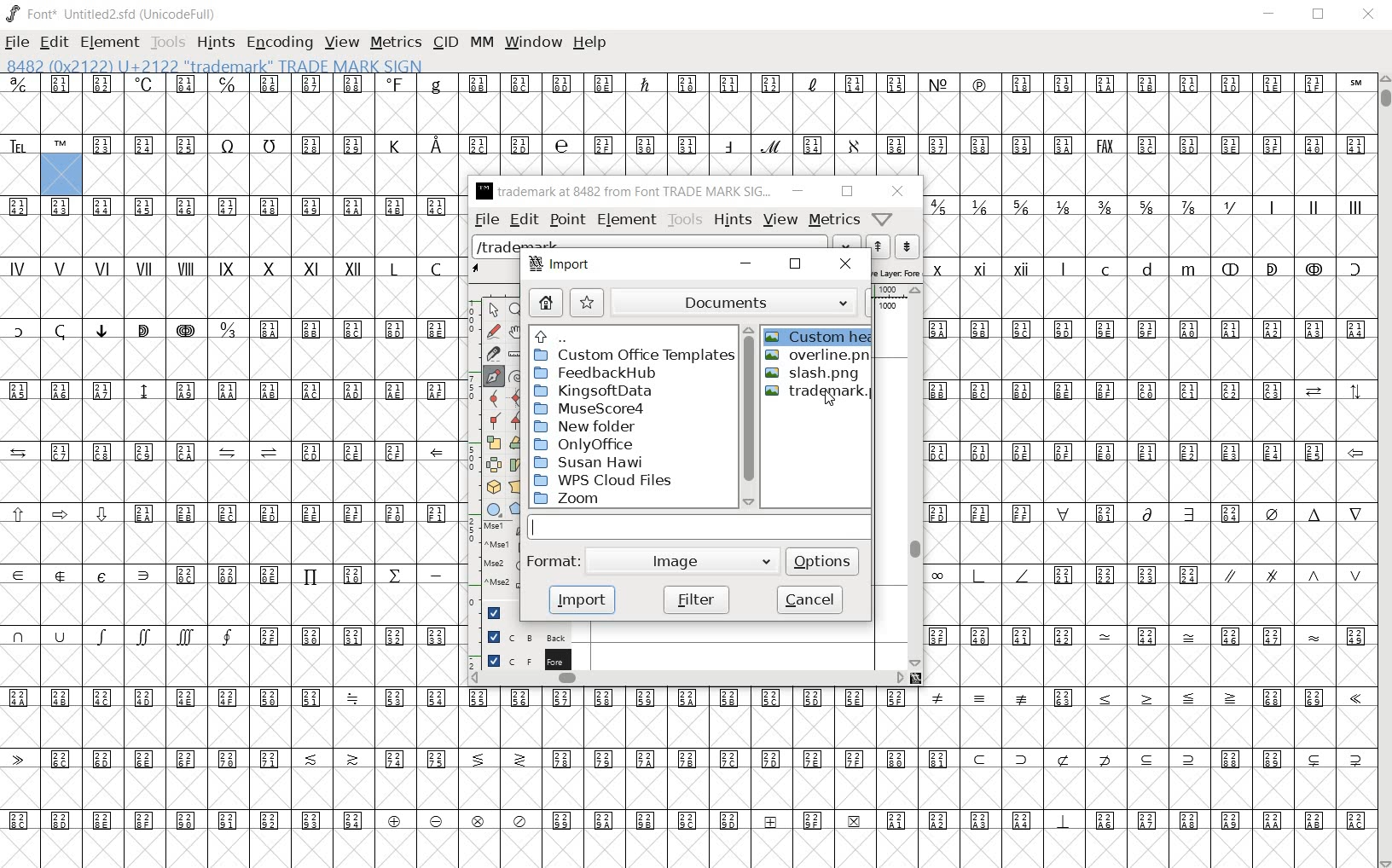 The width and height of the screenshot is (1392, 868). What do you see at coordinates (493, 488) in the screenshot?
I see `rotate the selection in 3D and project back to plane` at bounding box center [493, 488].